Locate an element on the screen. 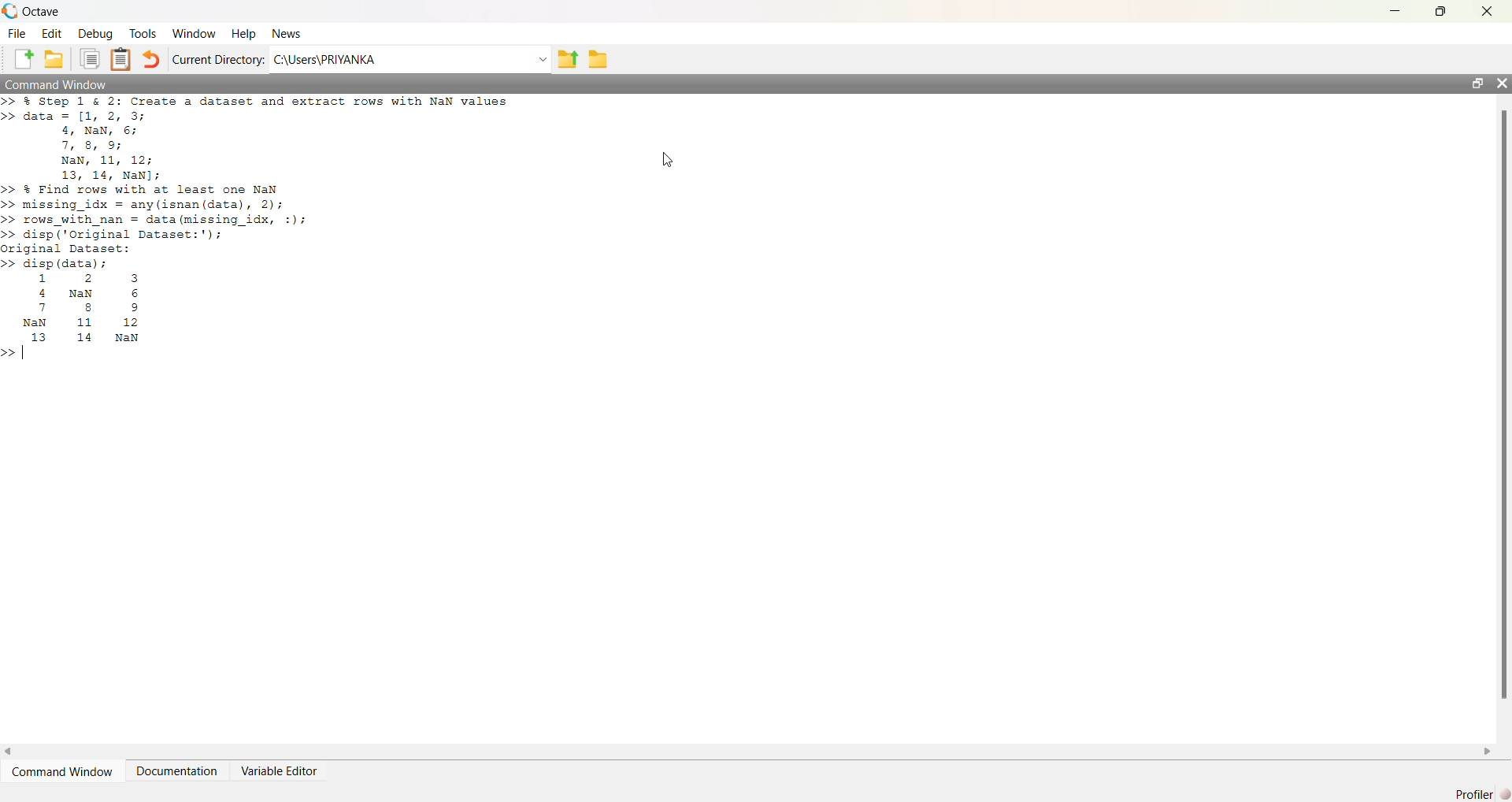  logo is located at coordinates (9, 11).